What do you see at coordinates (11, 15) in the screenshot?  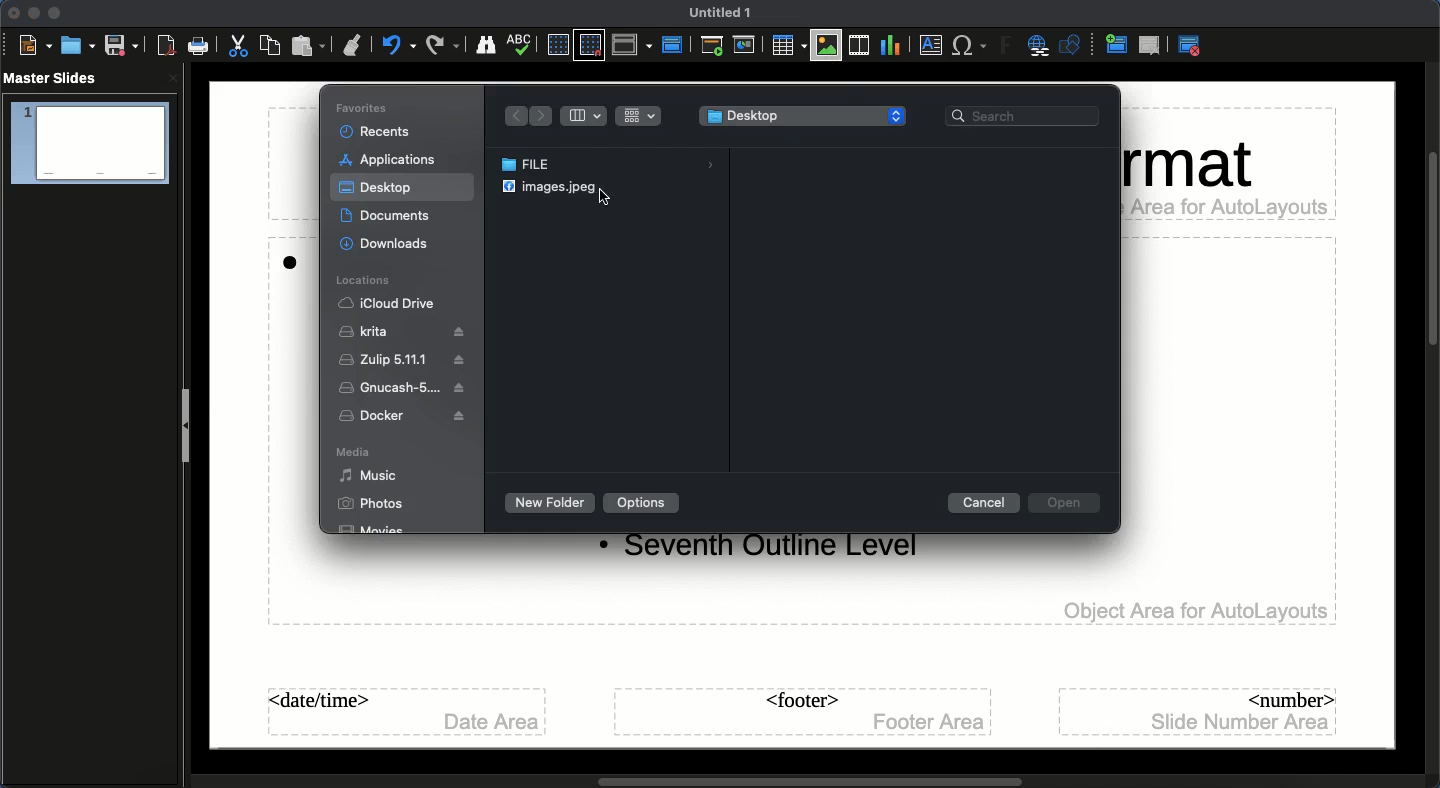 I see `Close` at bounding box center [11, 15].